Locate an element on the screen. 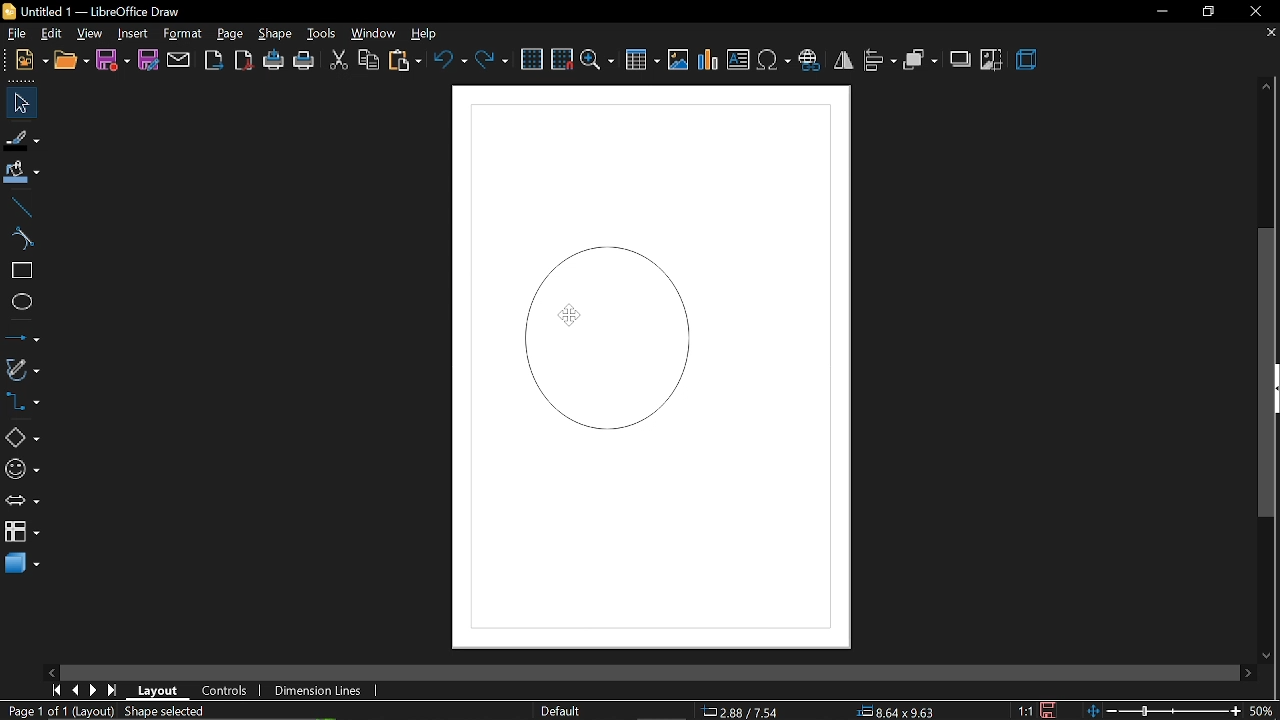 The image size is (1280, 720). insert text is located at coordinates (738, 60).